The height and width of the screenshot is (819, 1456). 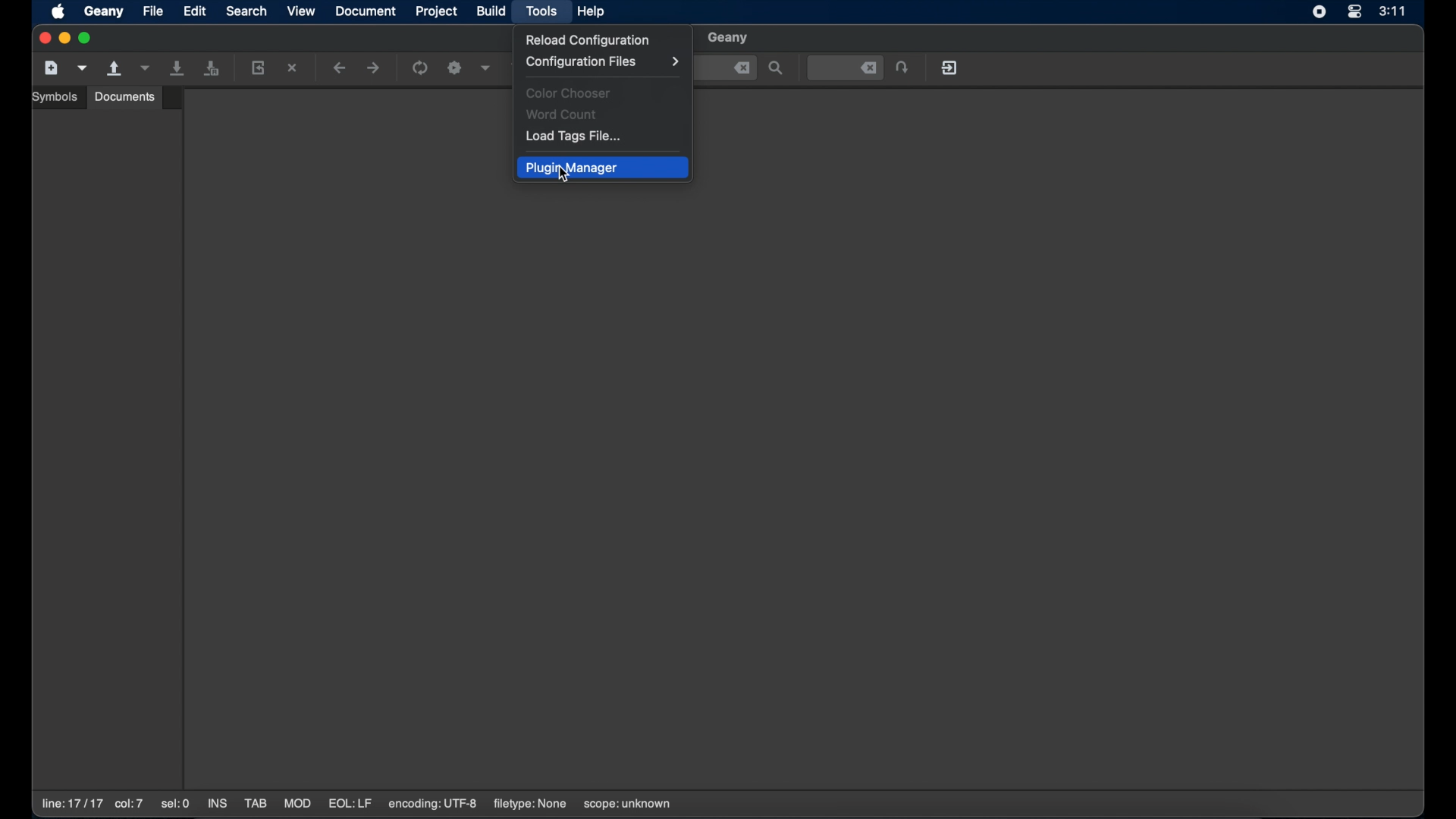 I want to click on plugin manager, so click(x=604, y=168).